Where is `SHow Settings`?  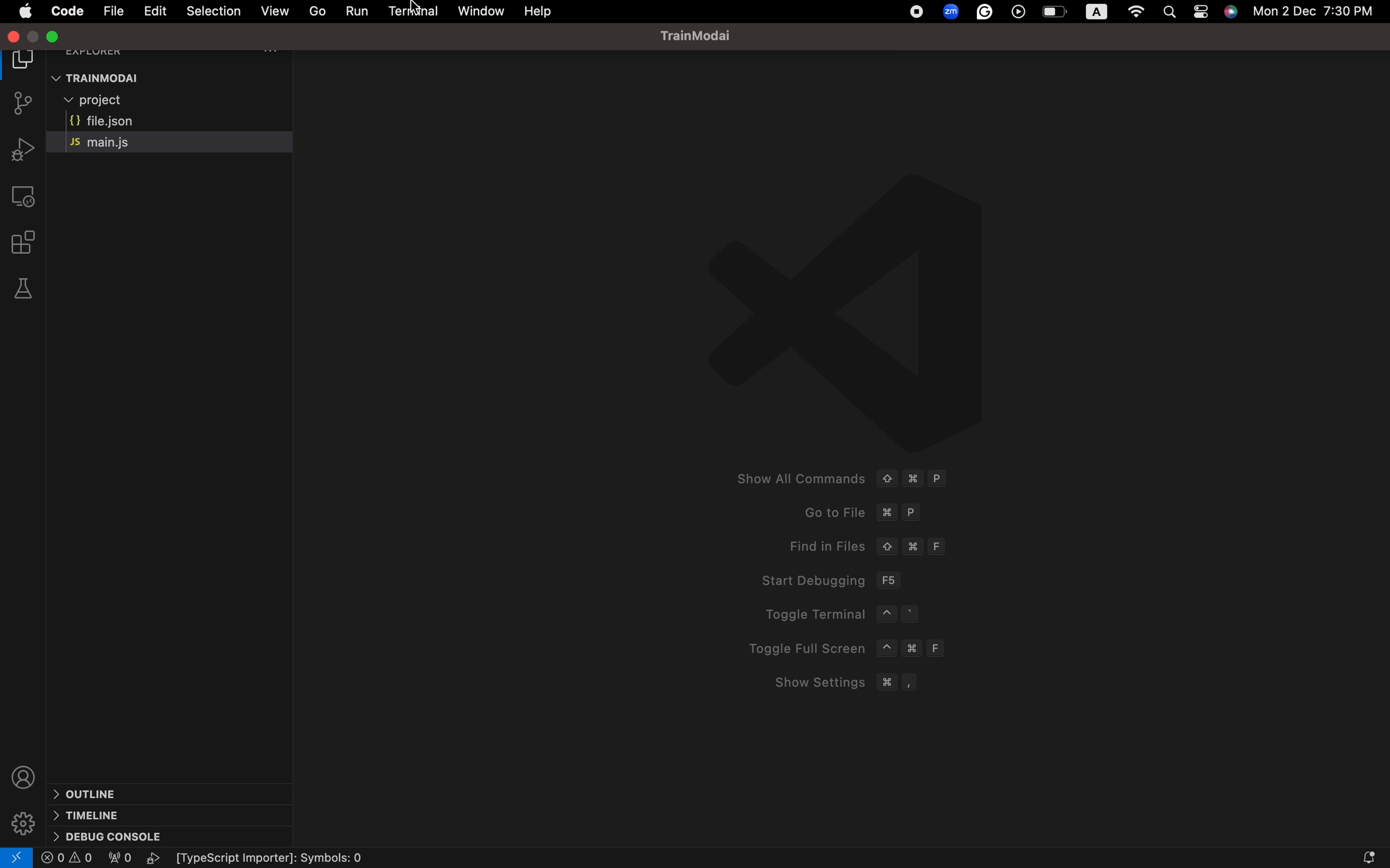 SHow Settings is located at coordinates (837, 683).